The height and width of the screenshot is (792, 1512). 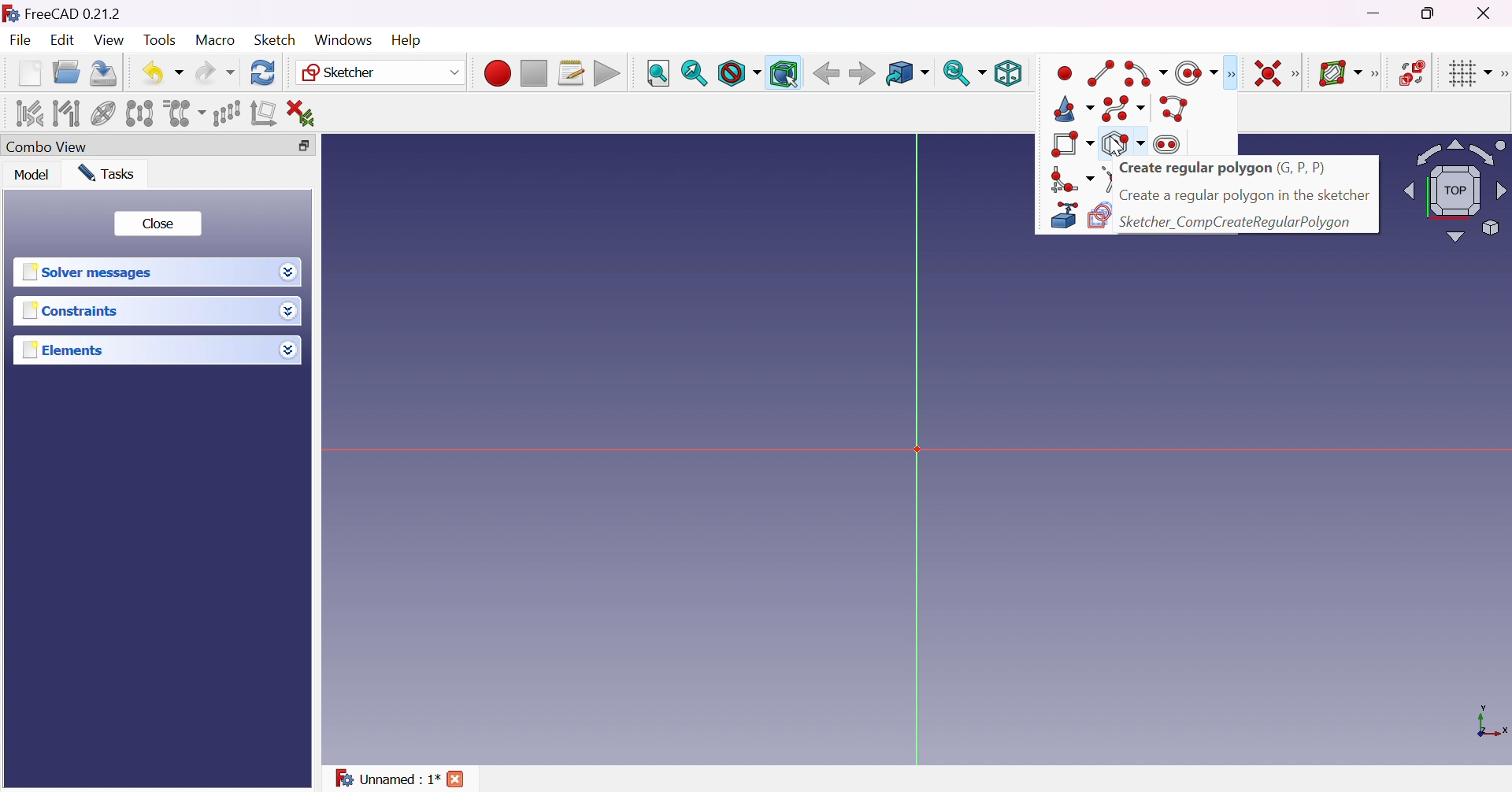 What do you see at coordinates (457, 781) in the screenshot?
I see `Close` at bounding box center [457, 781].